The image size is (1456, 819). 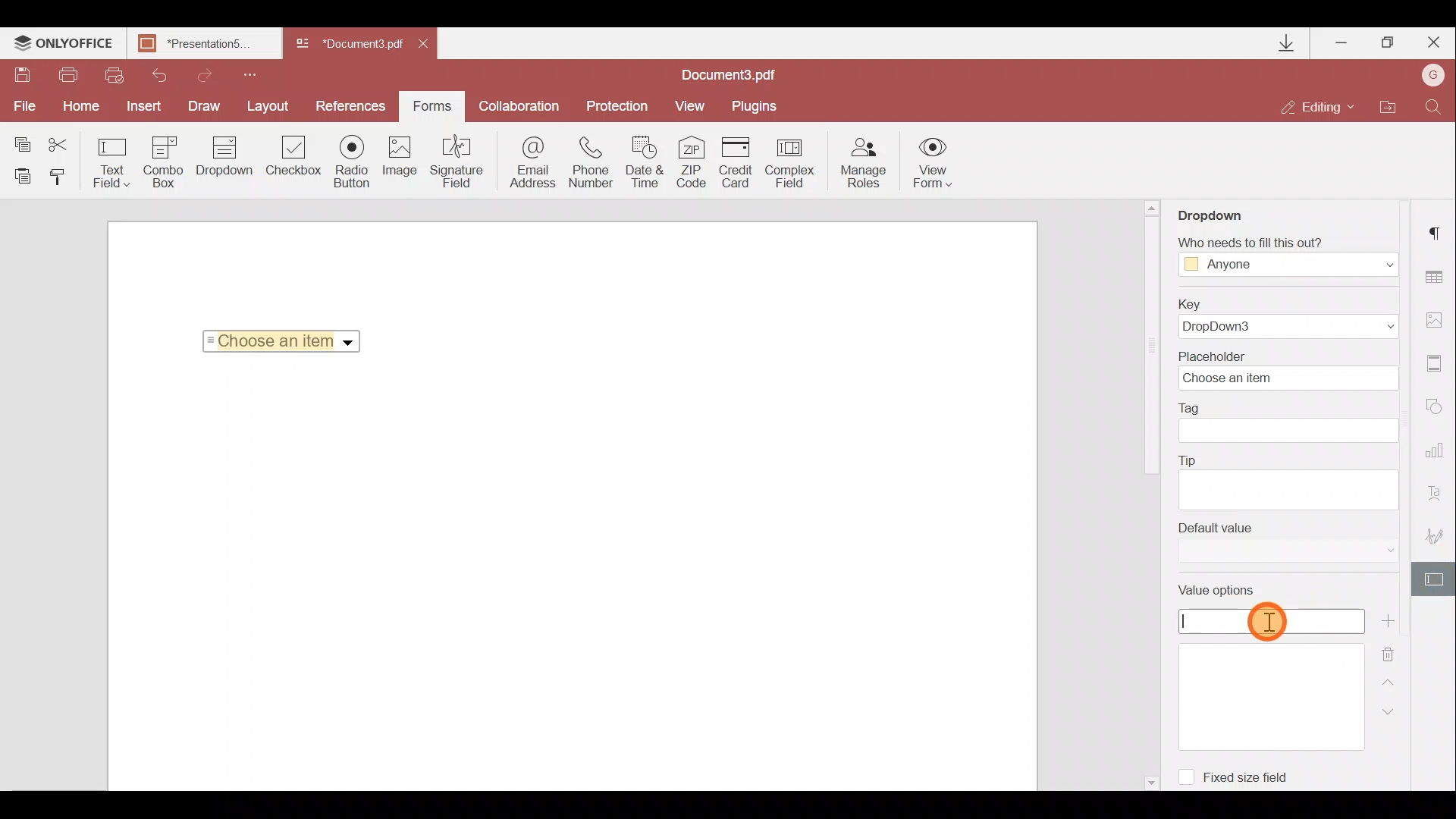 What do you see at coordinates (1436, 106) in the screenshot?
I see `Find` at bounding box center [1436, 106].